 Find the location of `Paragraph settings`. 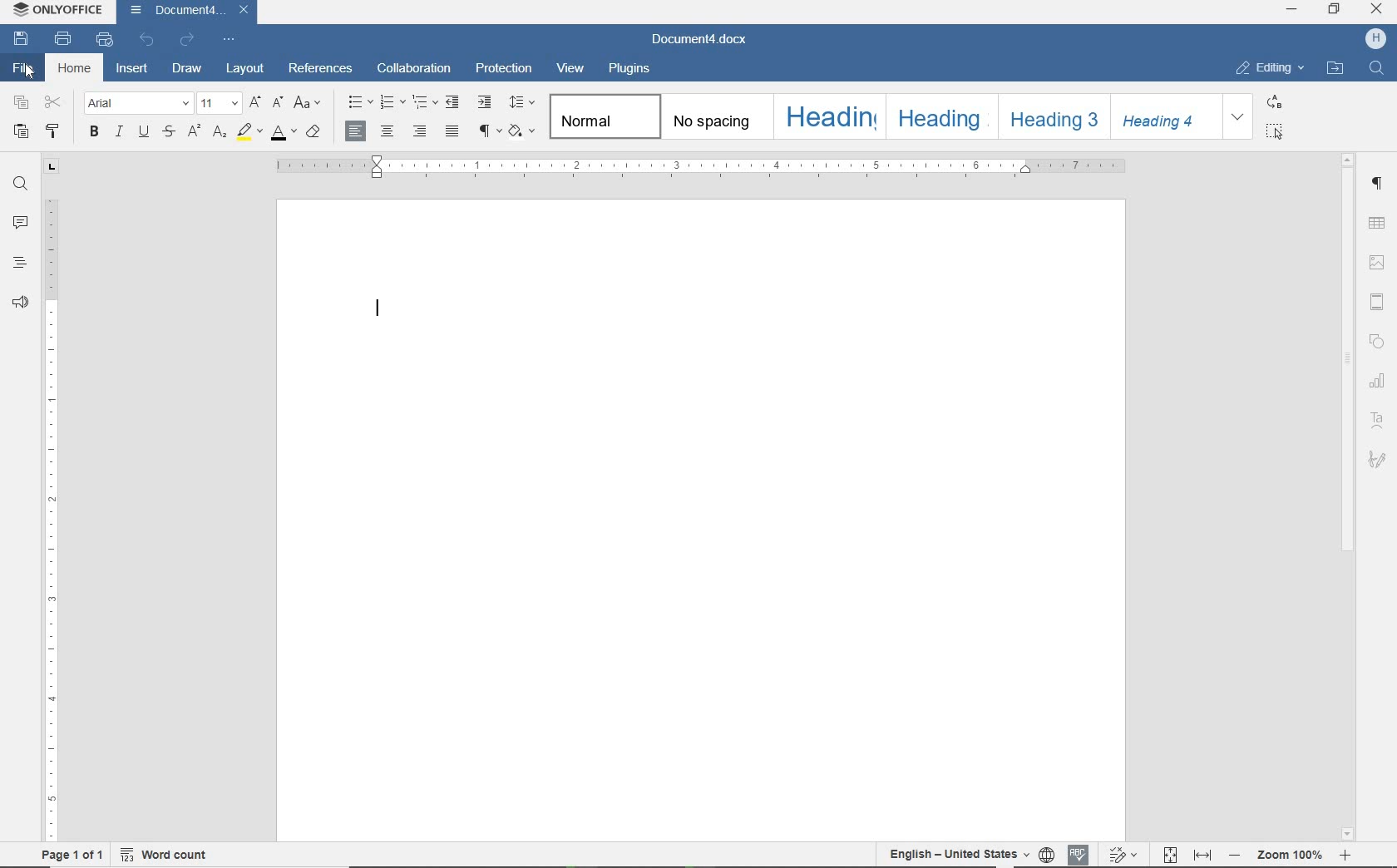

Paragraph settings is located at coordinates (1379, 184).